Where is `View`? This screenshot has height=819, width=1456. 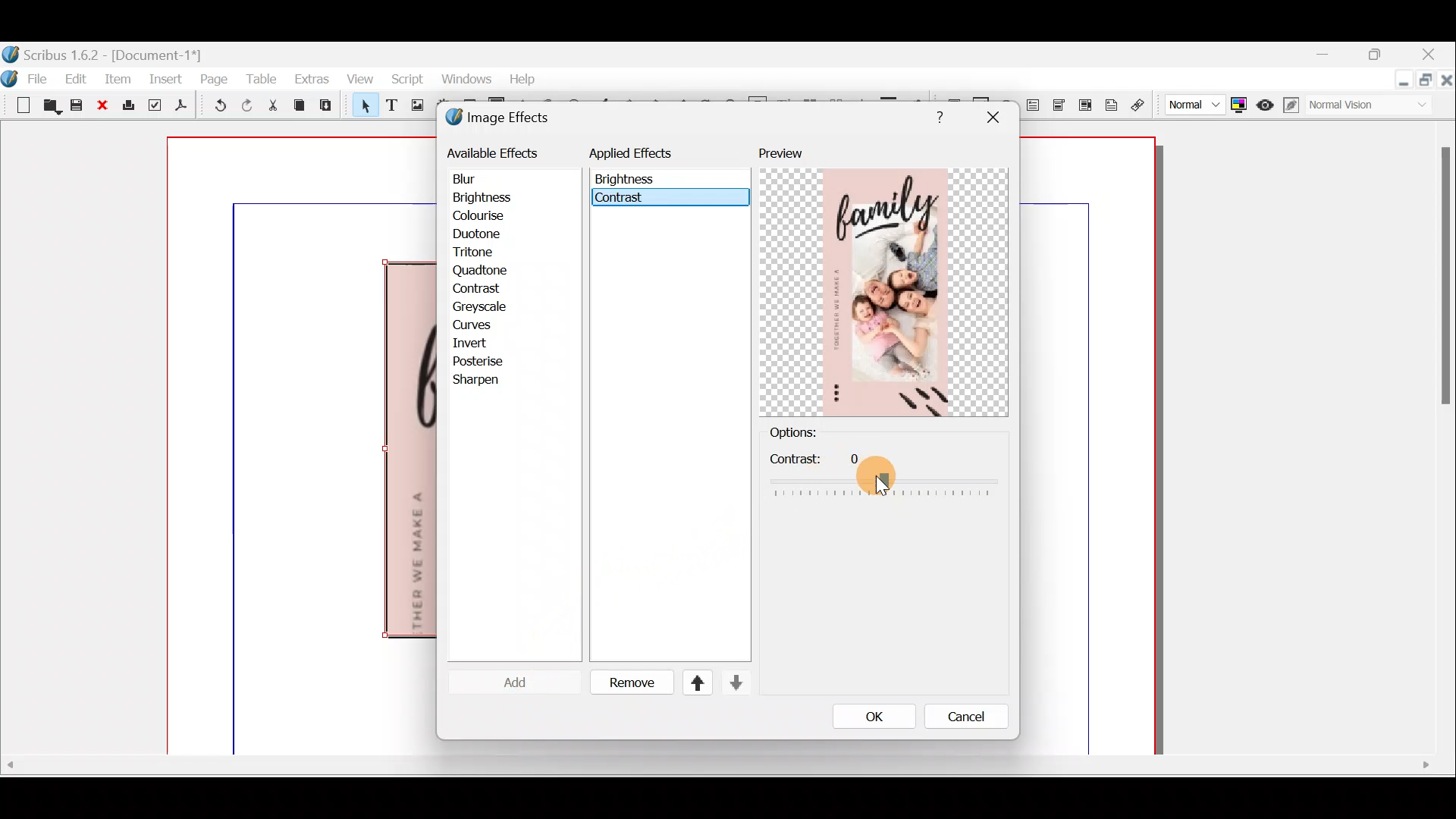 View is located at coordinates (360, 78).